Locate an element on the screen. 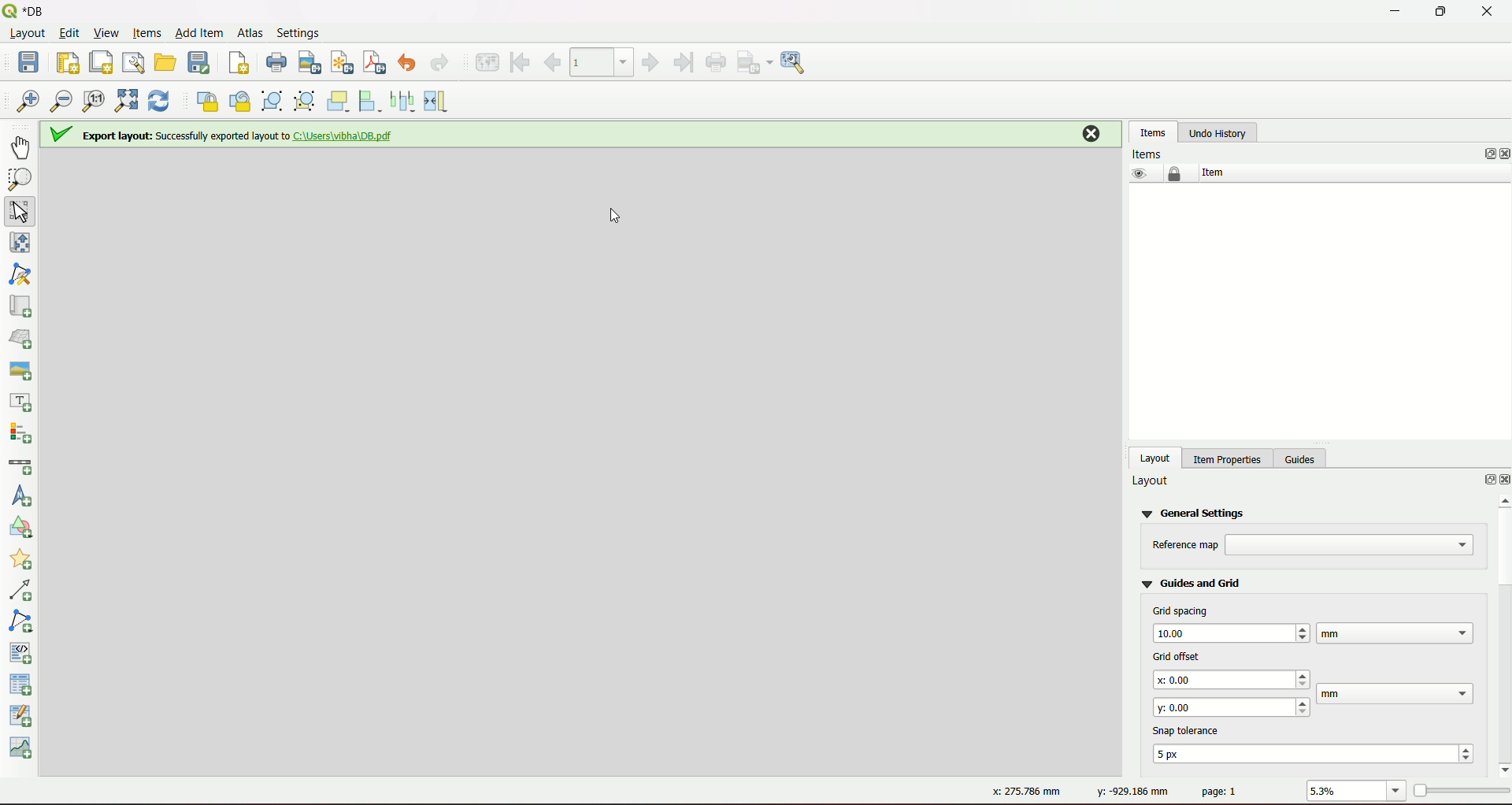 The width and height of the screenshot is (1512, 805). Name and logo is located at coordinates (30, 11).